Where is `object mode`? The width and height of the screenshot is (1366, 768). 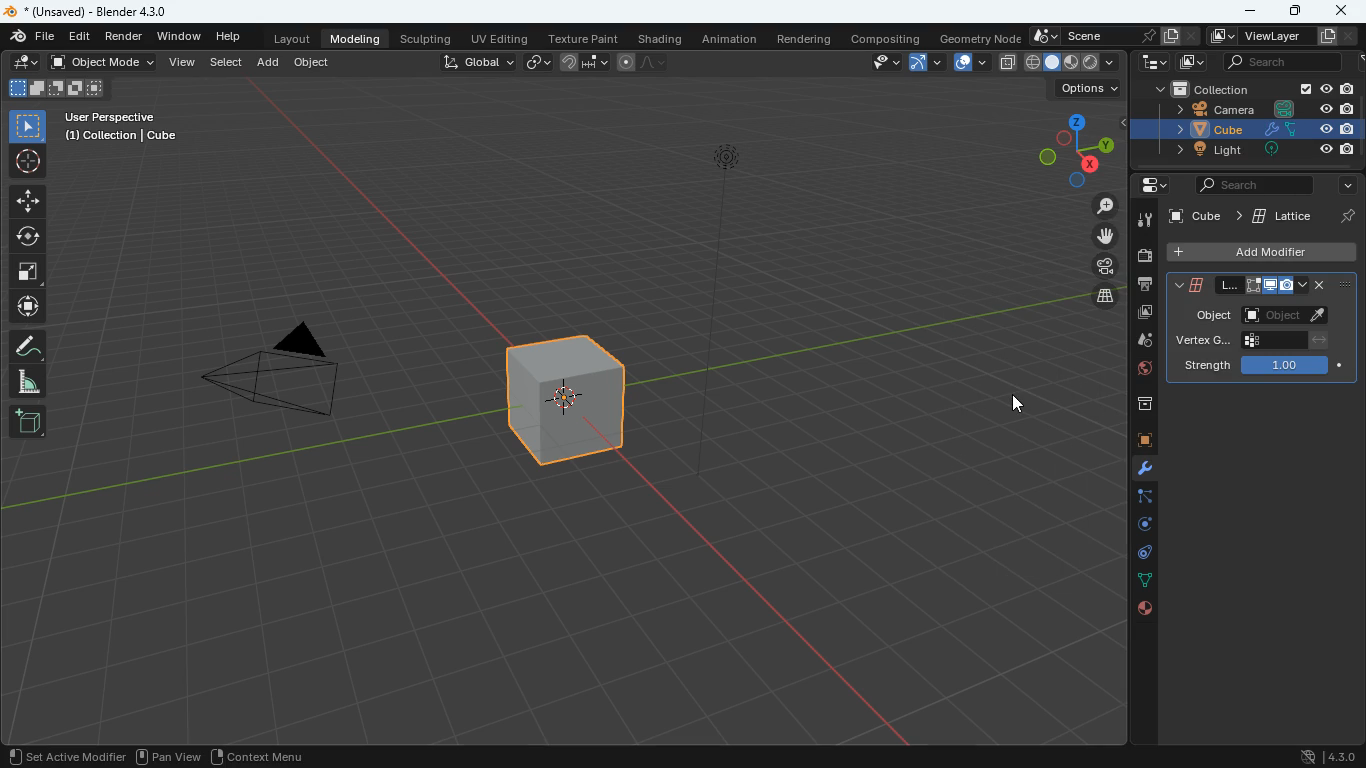
object mode is located at coordinates (102, 61).